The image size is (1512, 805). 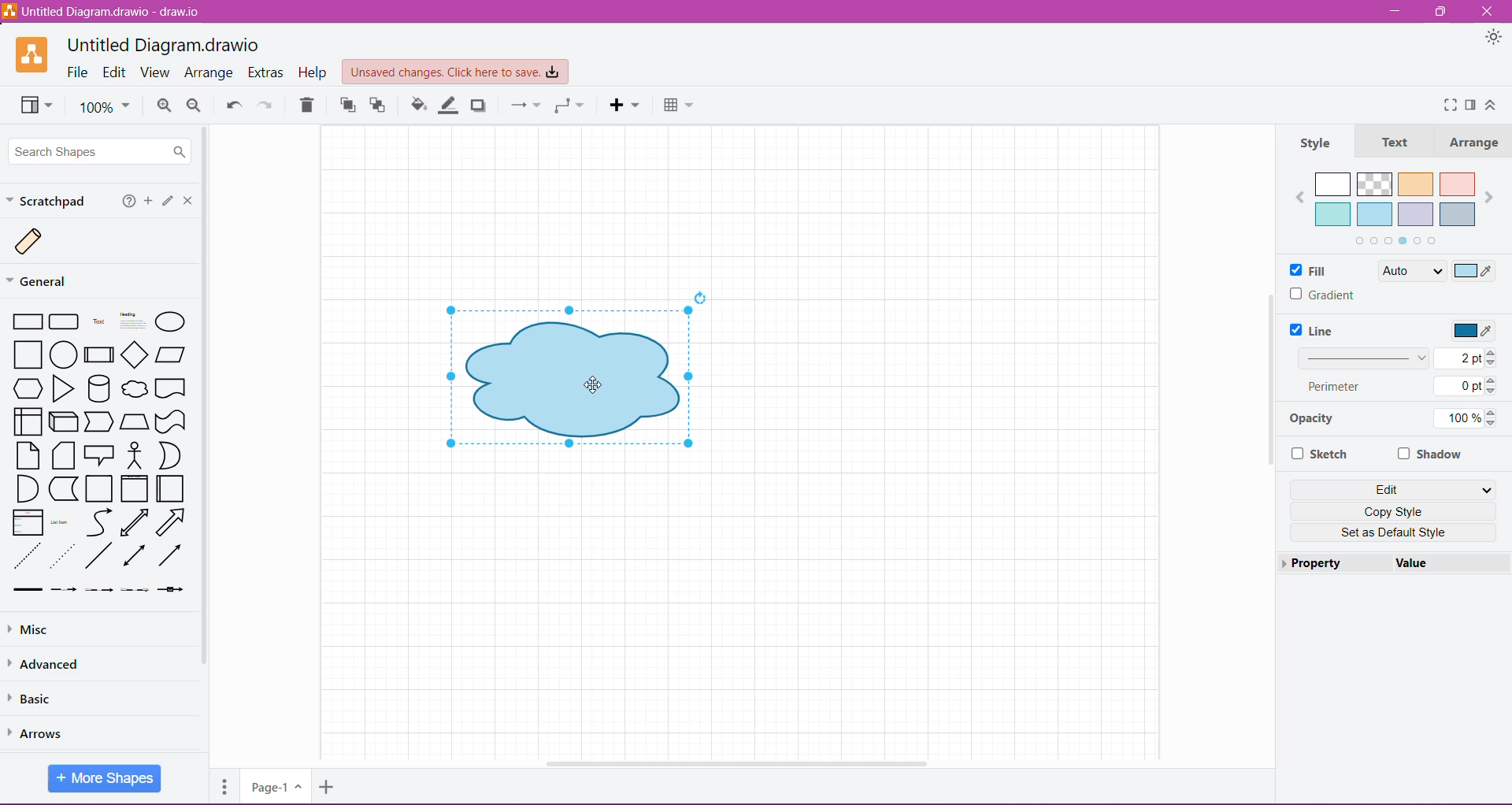 I want to click on value, so click(x=1448, y=562).